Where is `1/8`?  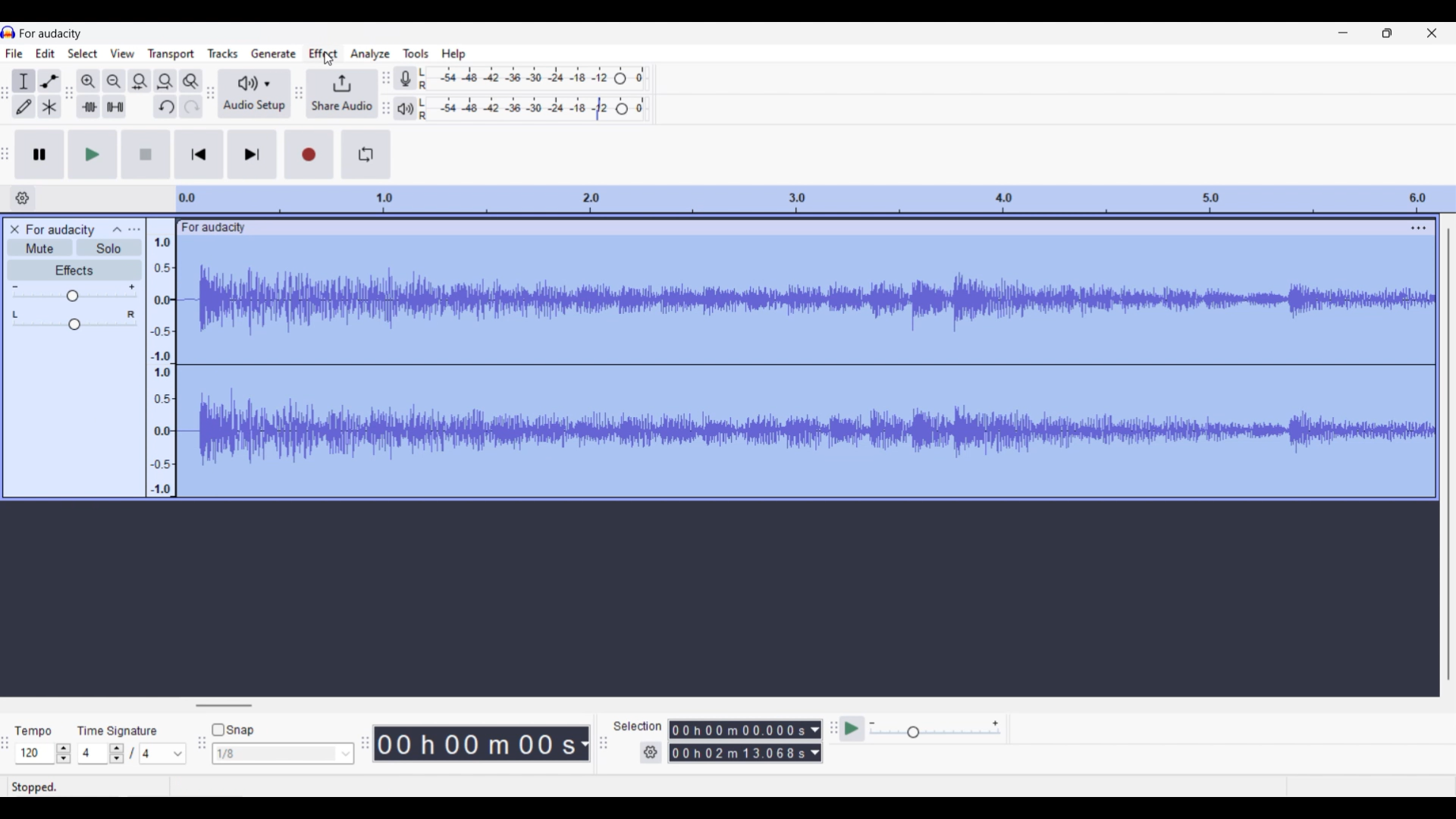 1/8 is located at coordinates (284, 753).